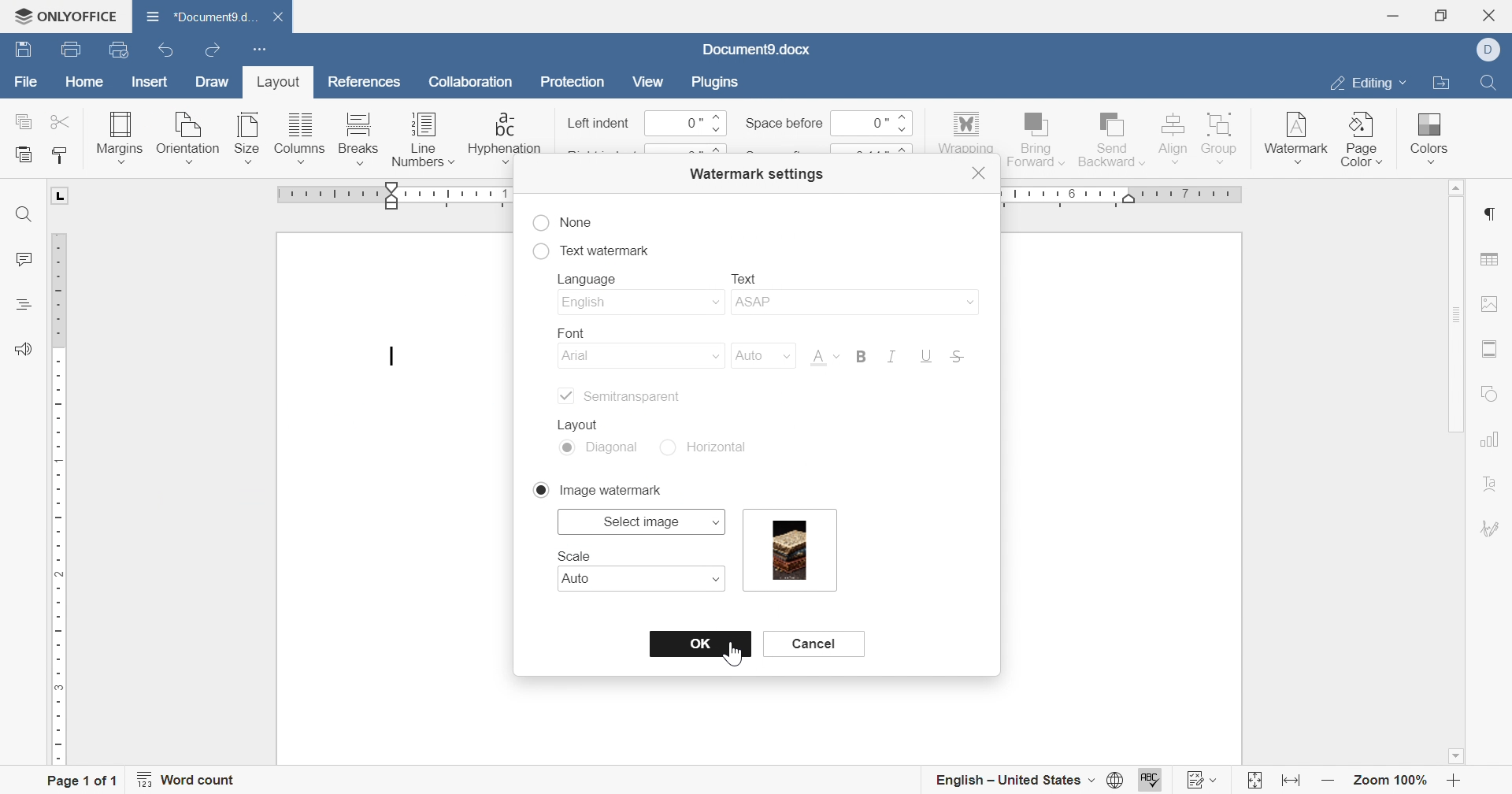  Describe the element at coordinates (790, 549) in the screenshot. I see `information watermark` at that location.